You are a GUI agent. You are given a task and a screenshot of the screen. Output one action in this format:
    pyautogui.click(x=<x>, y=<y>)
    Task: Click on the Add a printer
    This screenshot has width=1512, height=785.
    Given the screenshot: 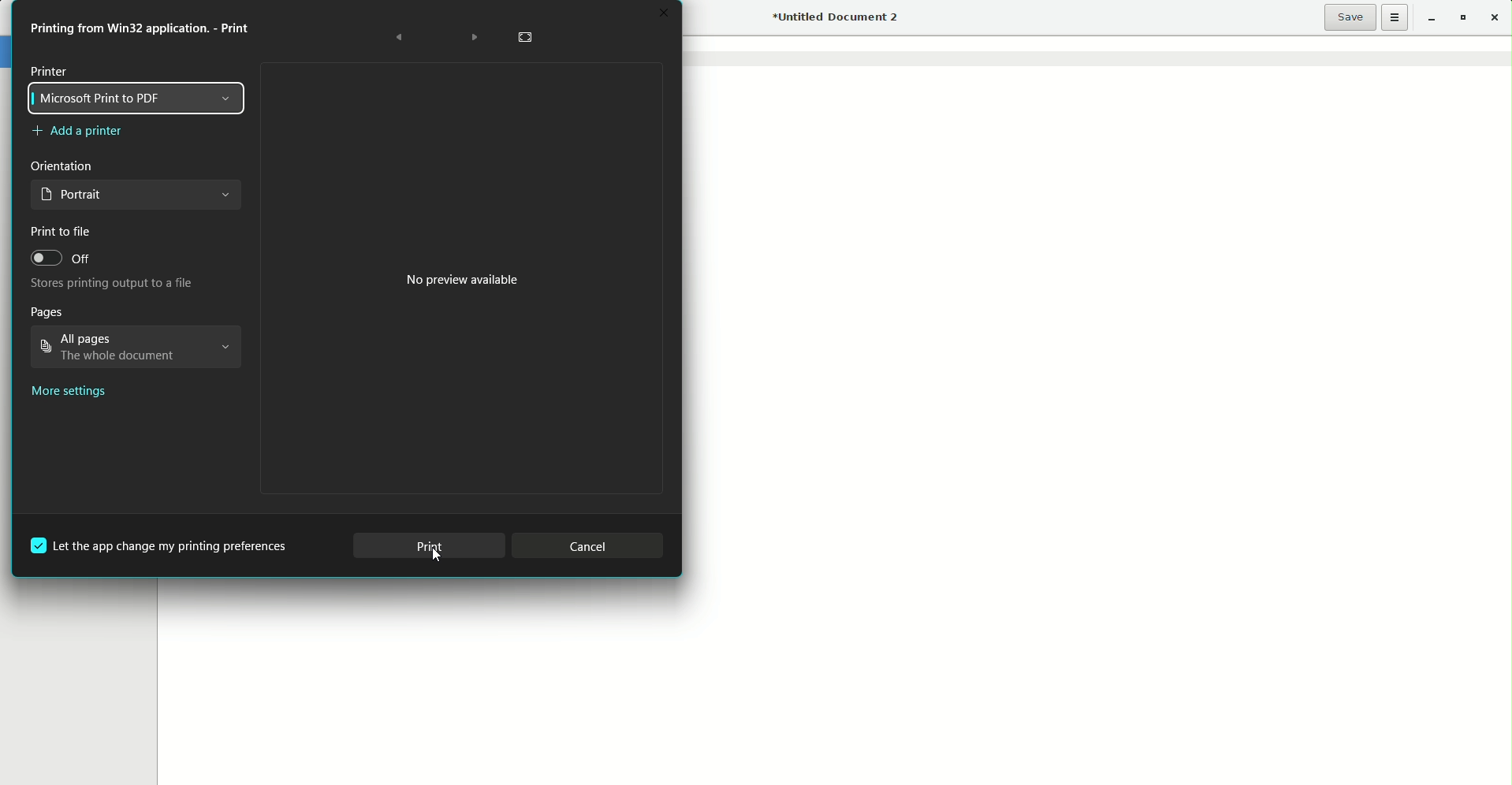 What is the action you would take?
    pyautogui.click(x=78, y=134)
    